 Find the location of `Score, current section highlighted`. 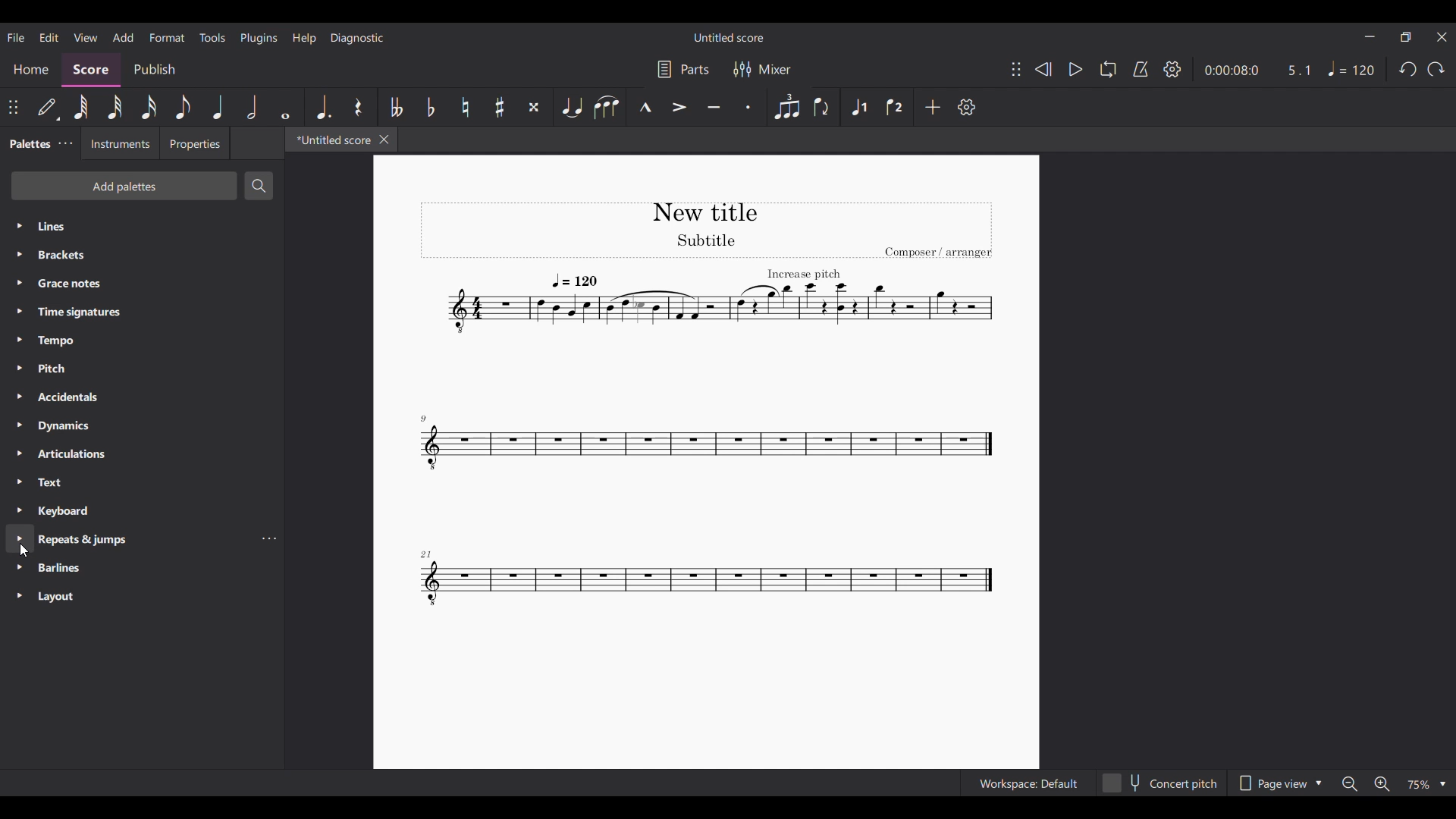

Score, current section highlighted is located at coordinates (91, 70).